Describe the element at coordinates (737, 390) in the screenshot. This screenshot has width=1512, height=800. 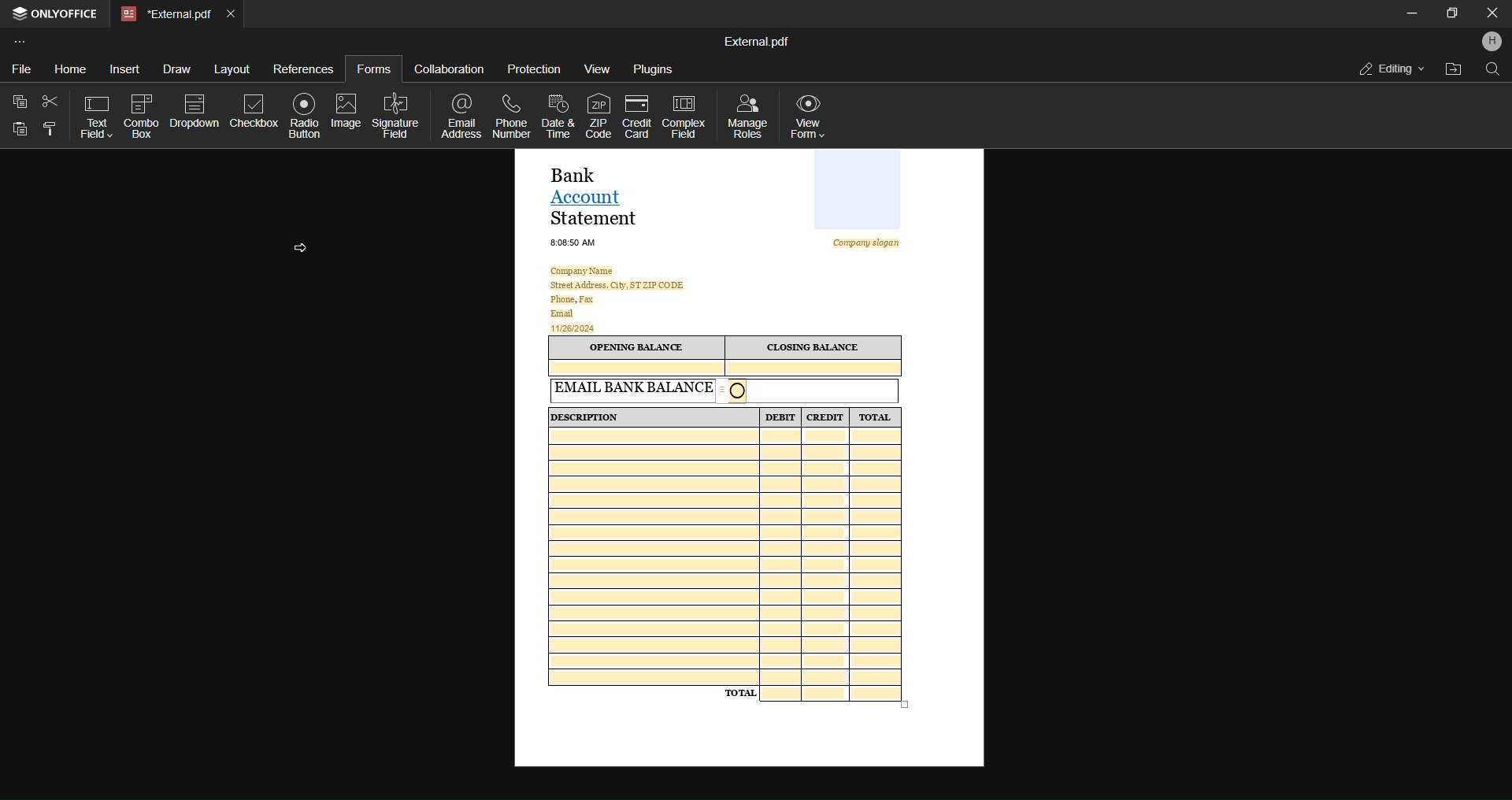
I see `Radio Button Added` at that location.